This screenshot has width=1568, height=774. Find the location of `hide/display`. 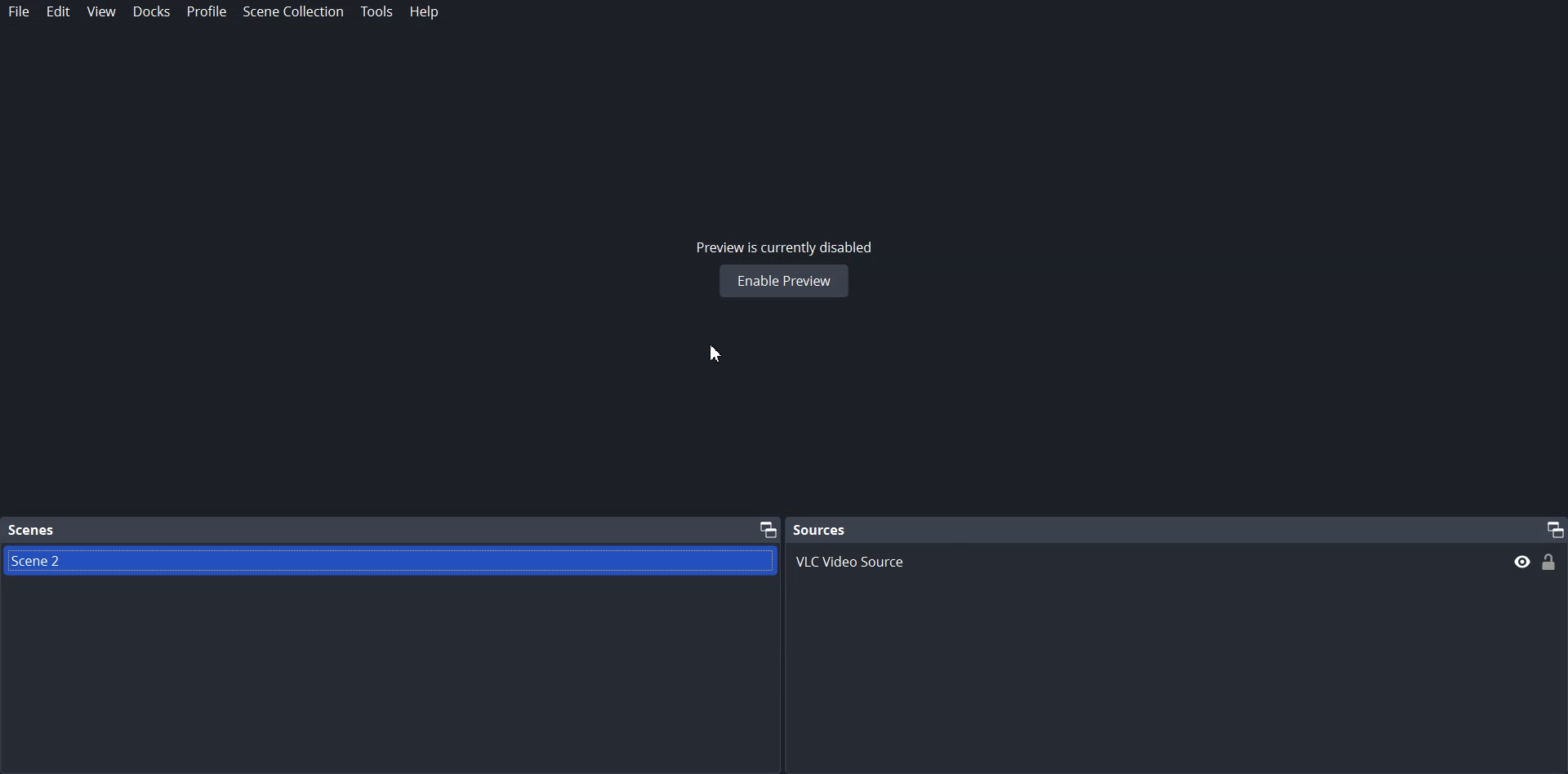

hide/display is located at coordinates (1521, 562).